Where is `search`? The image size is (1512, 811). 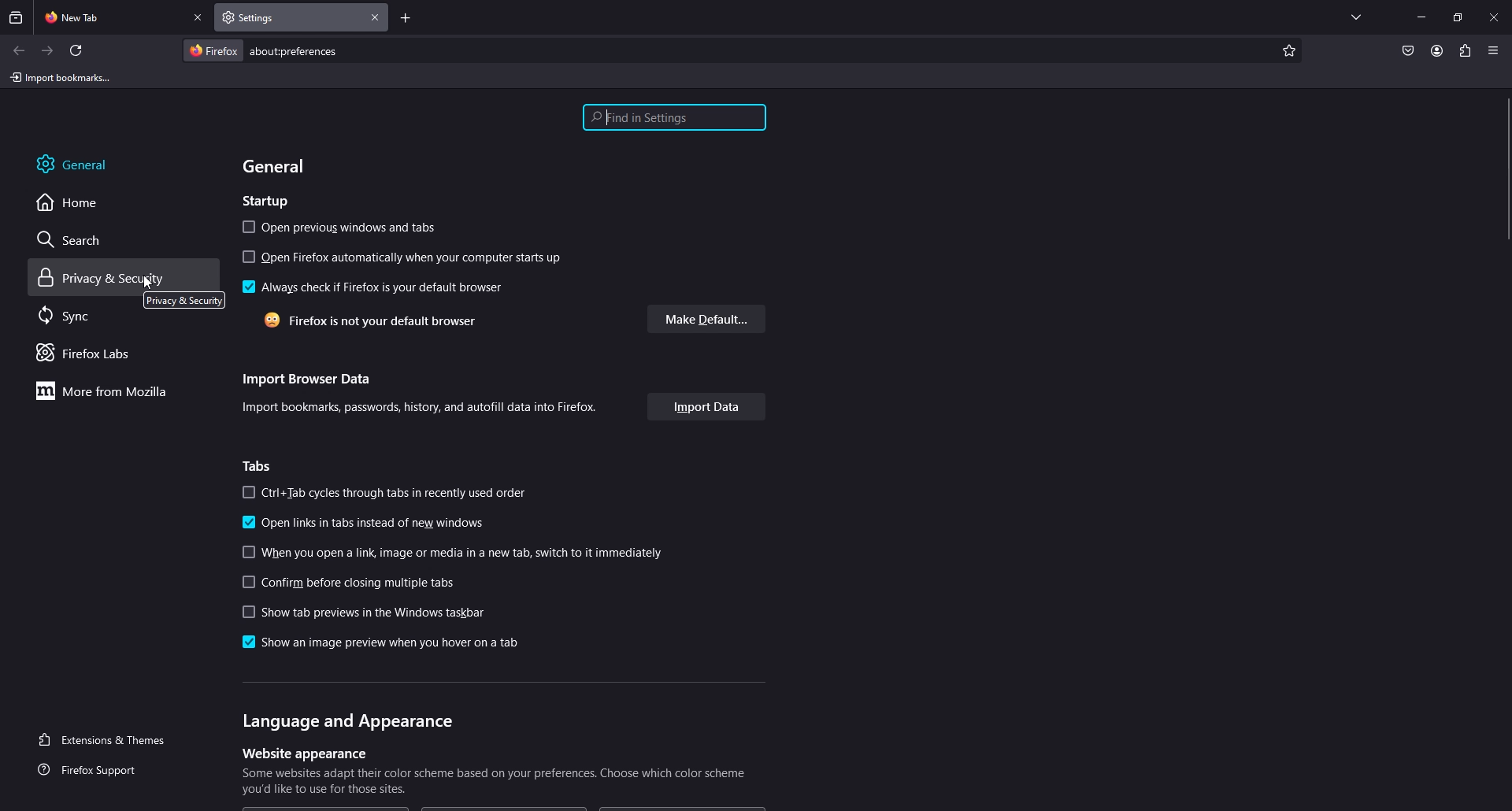 search is located at coordinates (83, 239).